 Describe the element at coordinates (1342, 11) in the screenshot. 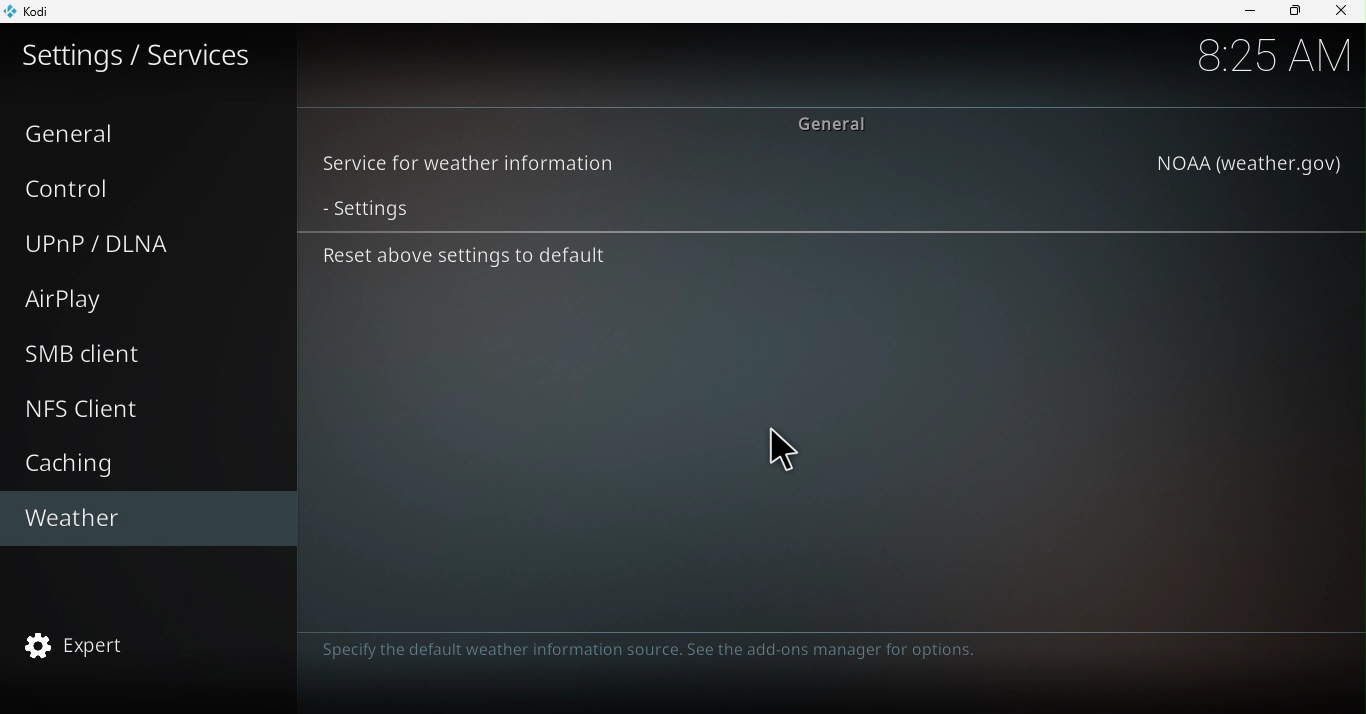

I see `Close` at that location.